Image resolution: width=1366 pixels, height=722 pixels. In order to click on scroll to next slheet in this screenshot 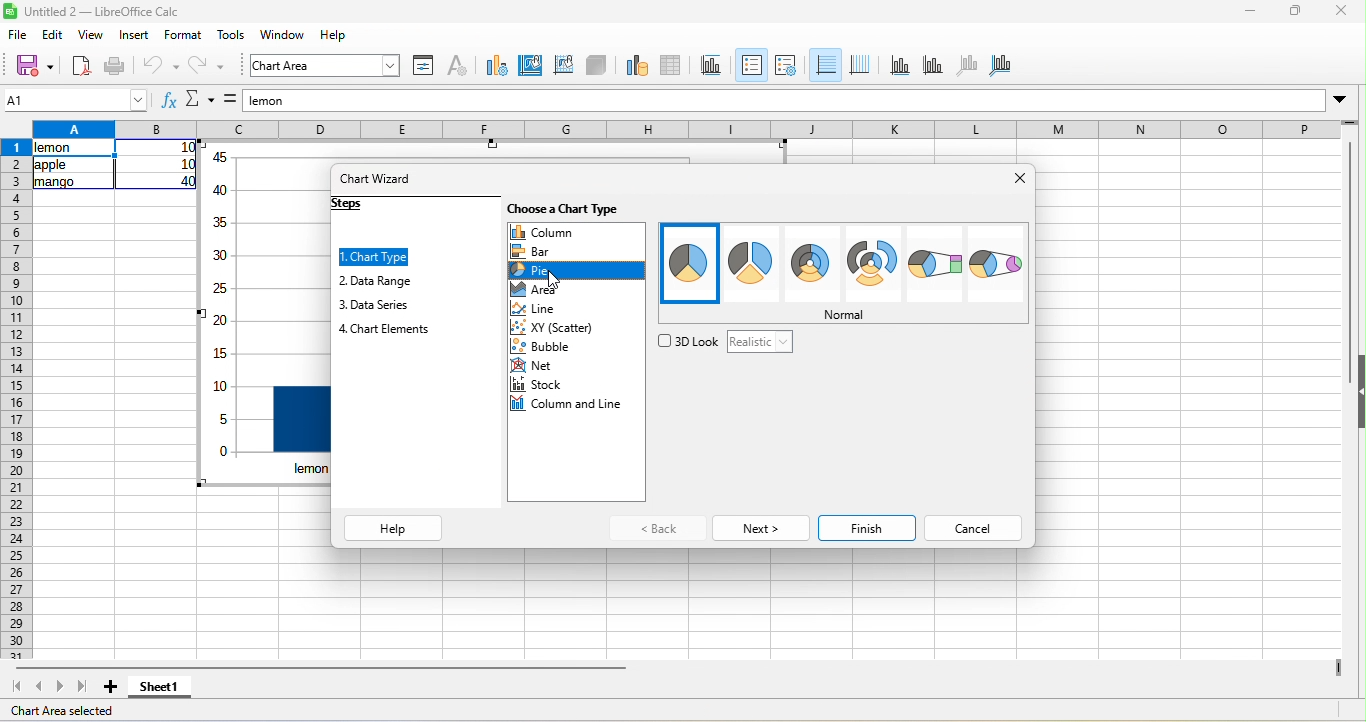, I will do `click(60, 689)`.